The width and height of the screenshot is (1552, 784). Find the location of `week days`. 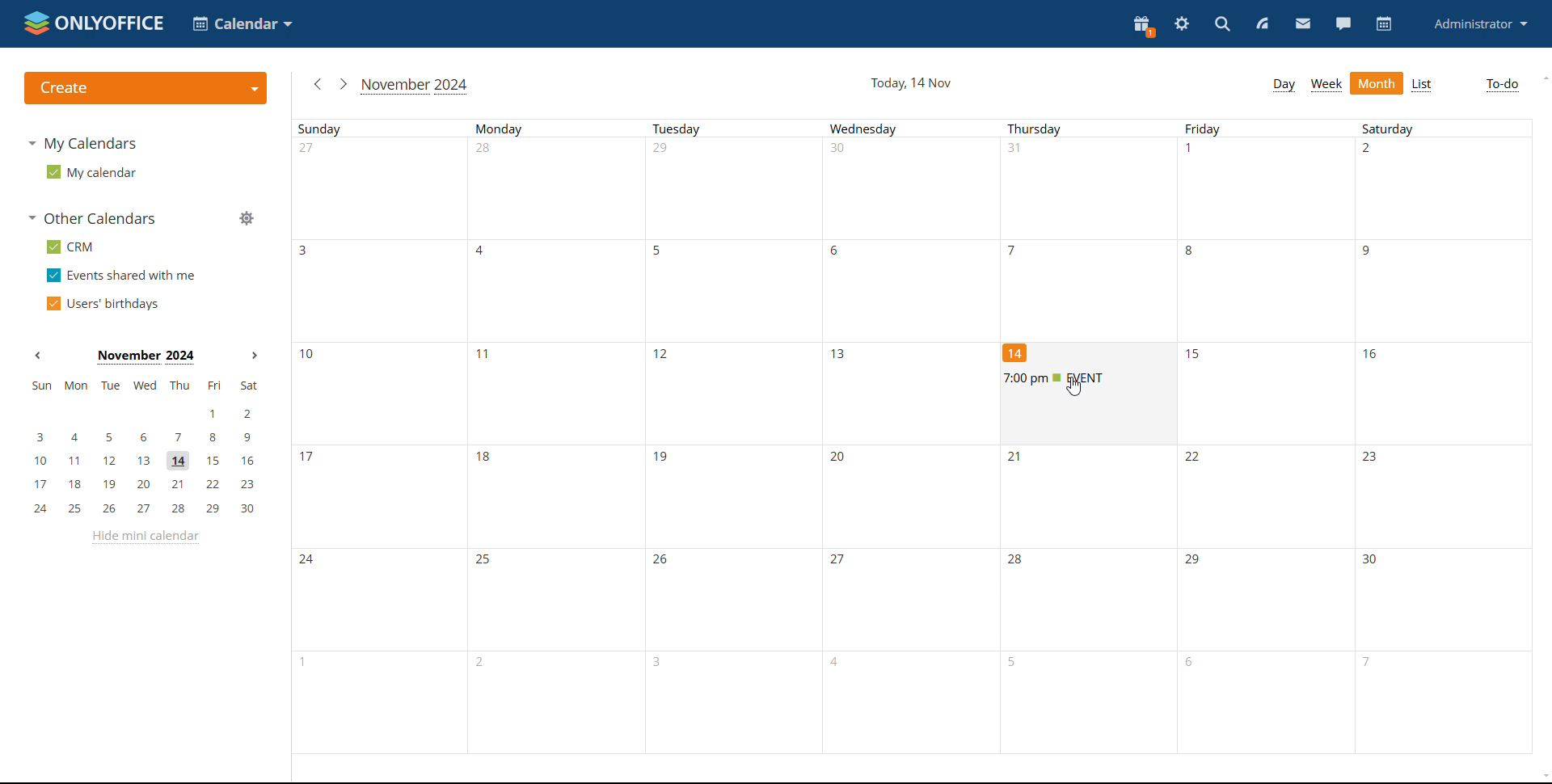

week days is located at coordinates (911, 126).